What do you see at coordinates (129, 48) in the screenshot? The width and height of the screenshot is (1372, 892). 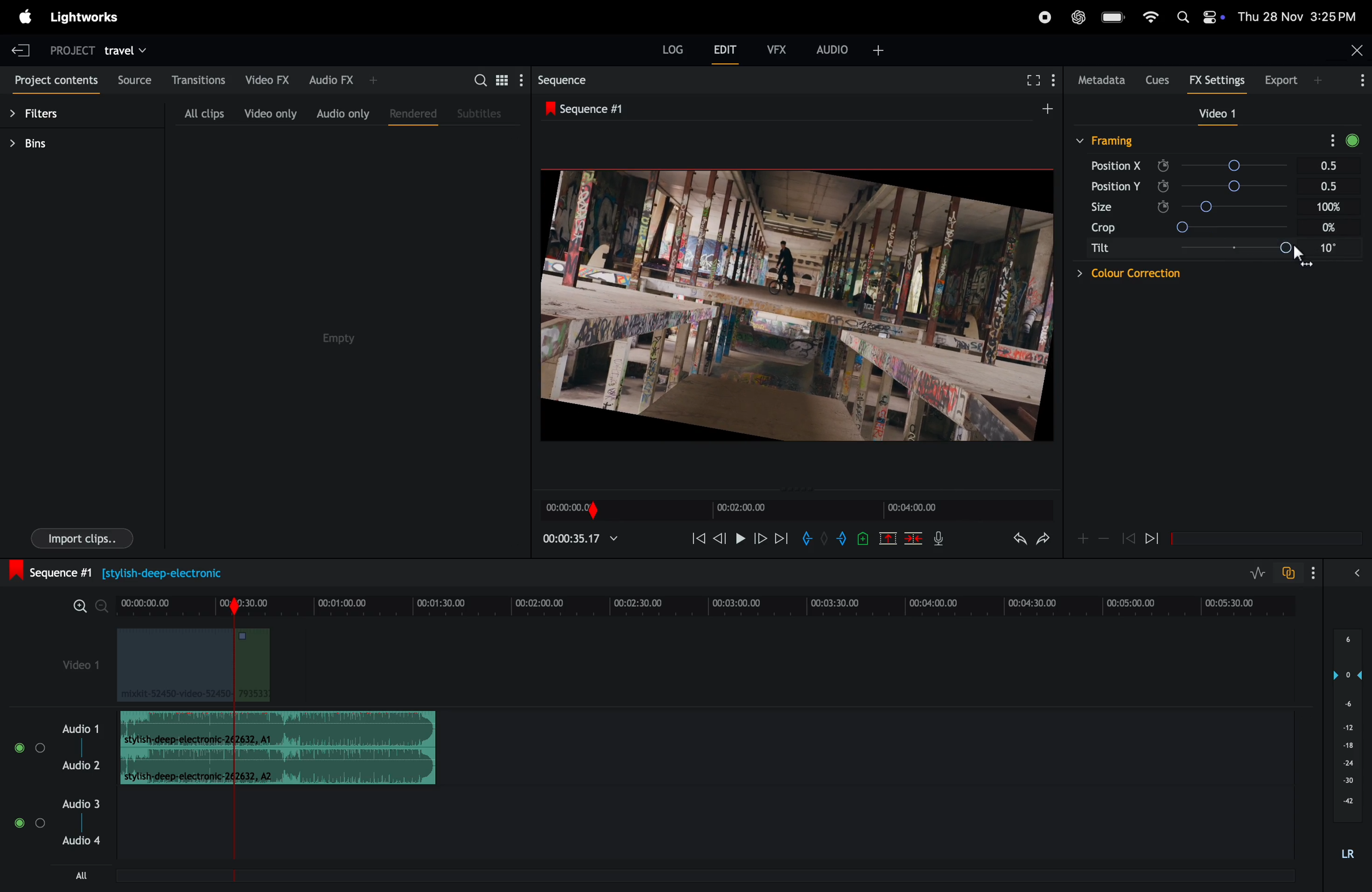 I see `travel` at bounding box center [129, 48].